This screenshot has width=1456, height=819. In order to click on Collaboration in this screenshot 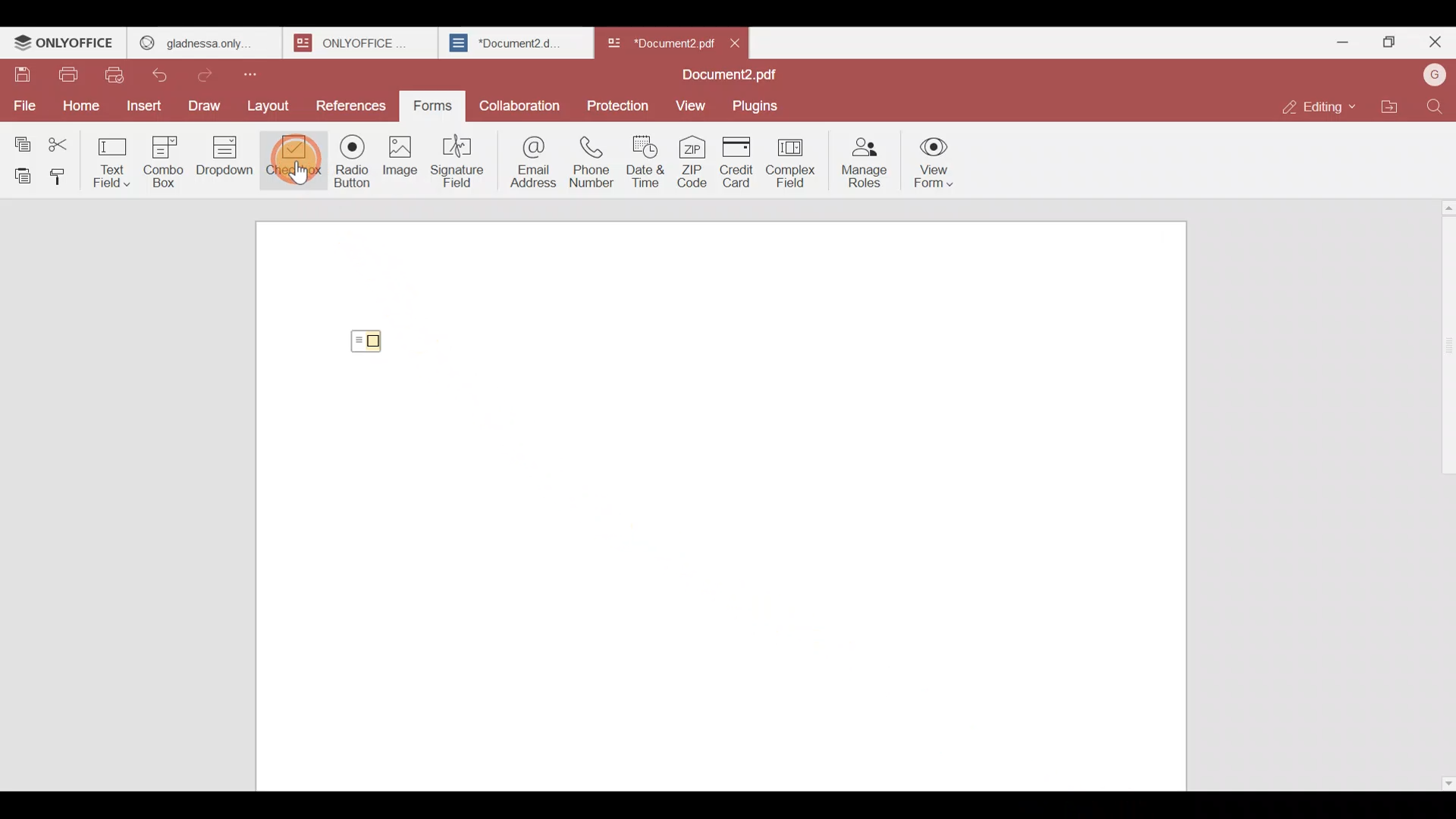, I will do `click(521, 102)`.